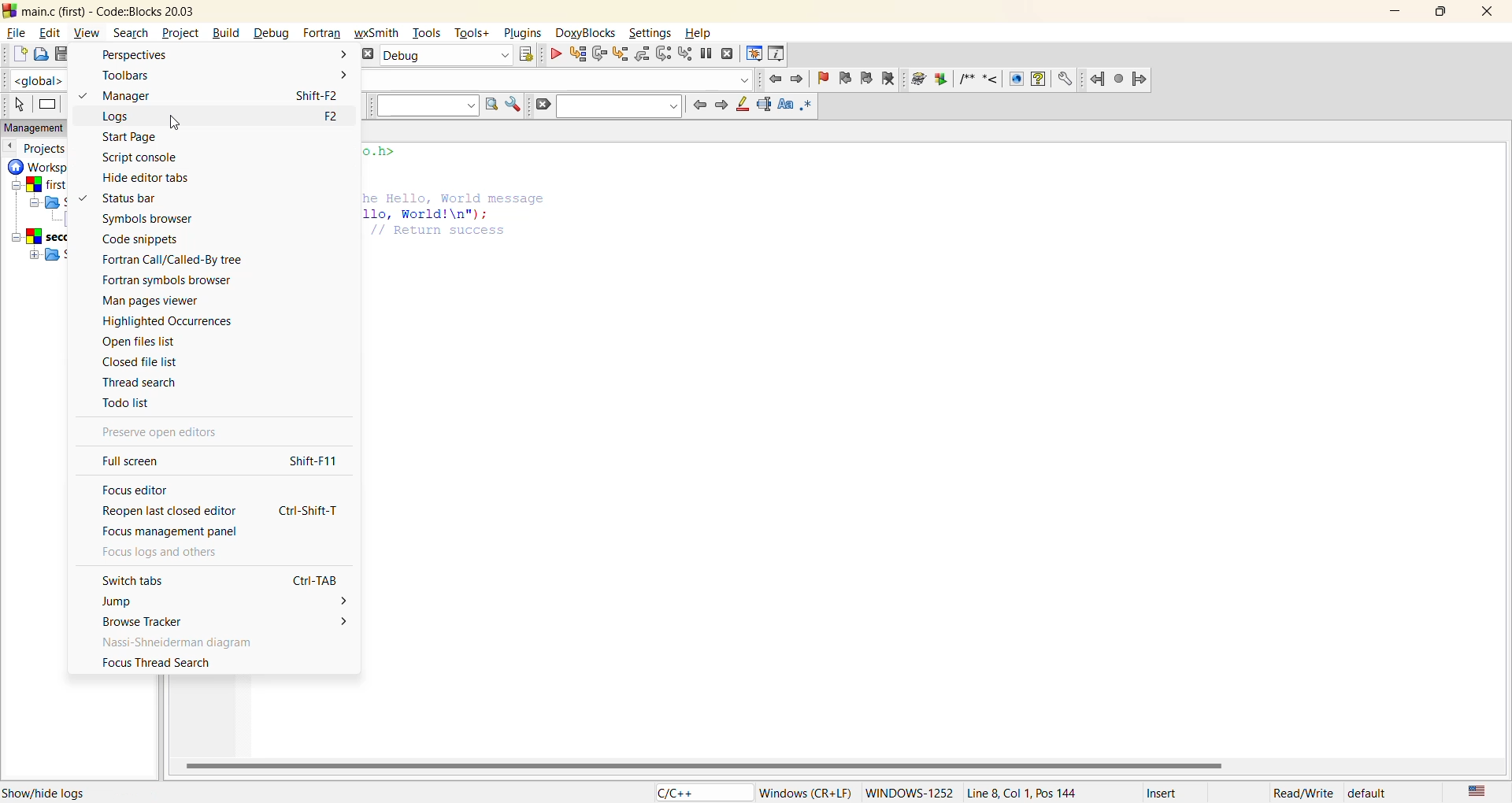 This screenshot has width=1512, height=803. Describe the element at coordinates (38, 54) in the screenshot. I see `open` at that location.